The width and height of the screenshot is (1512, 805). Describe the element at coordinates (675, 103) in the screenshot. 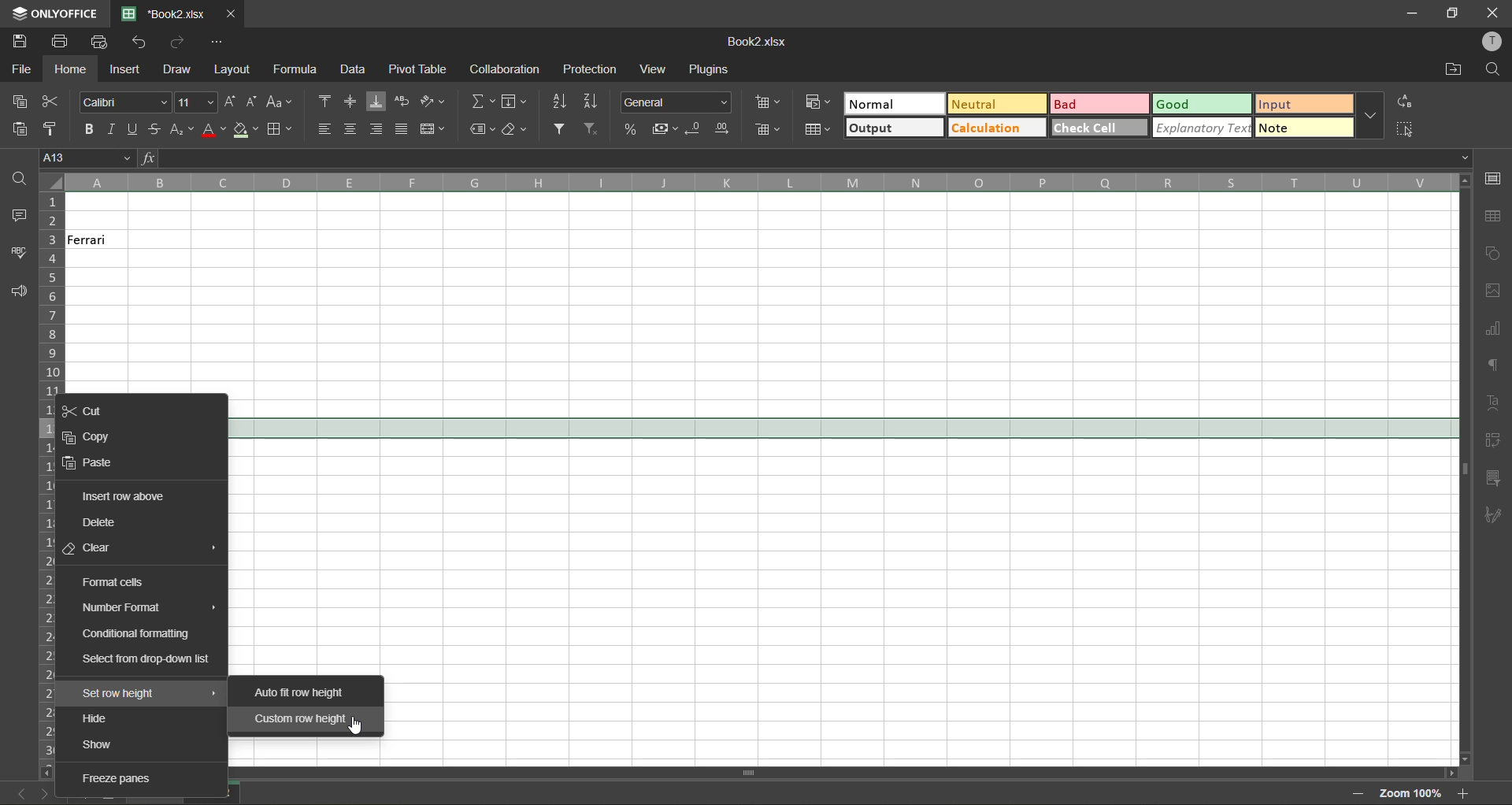

I see `number format` at that location.